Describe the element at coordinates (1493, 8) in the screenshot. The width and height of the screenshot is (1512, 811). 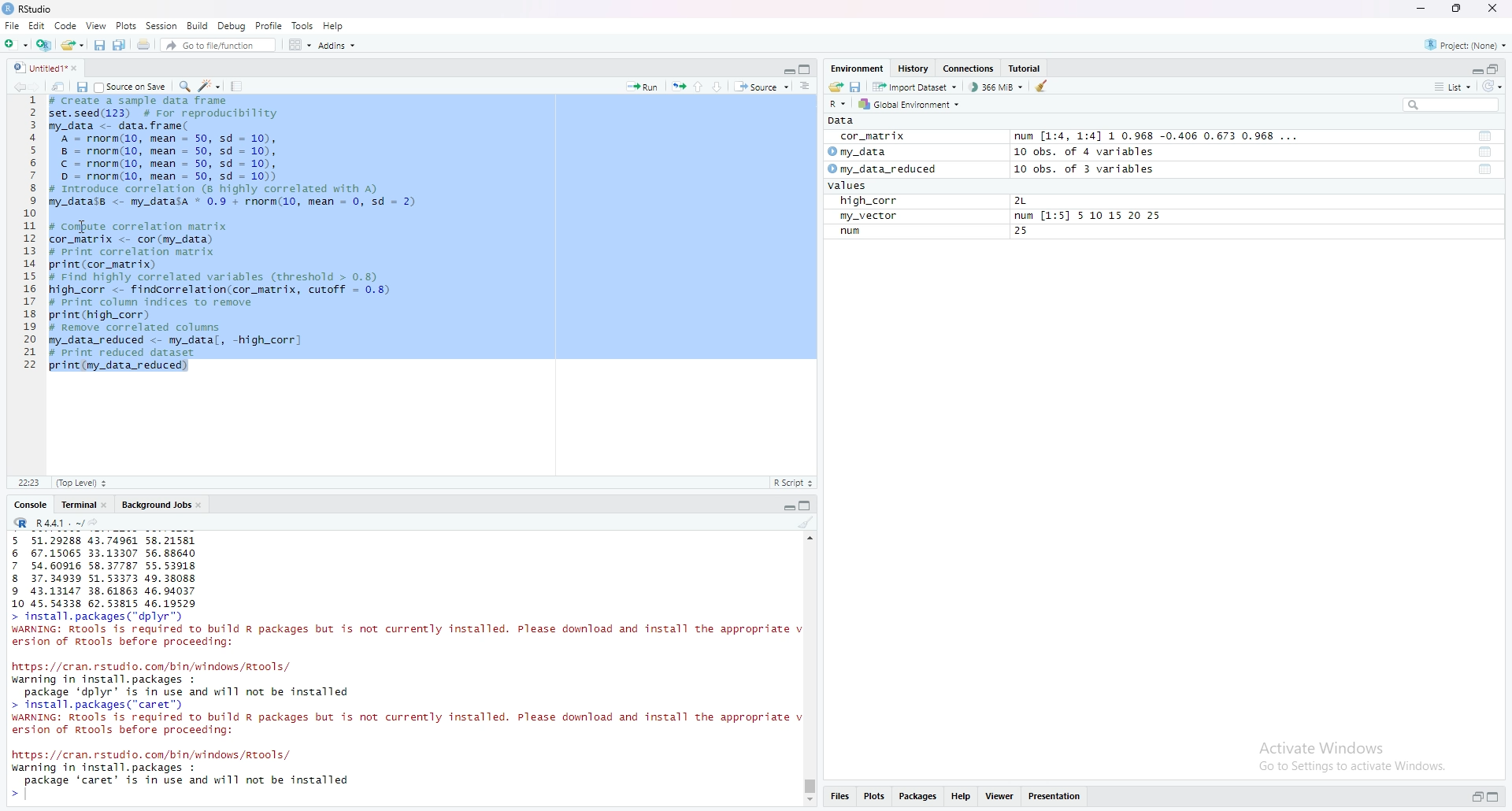
I see `close` at that location.